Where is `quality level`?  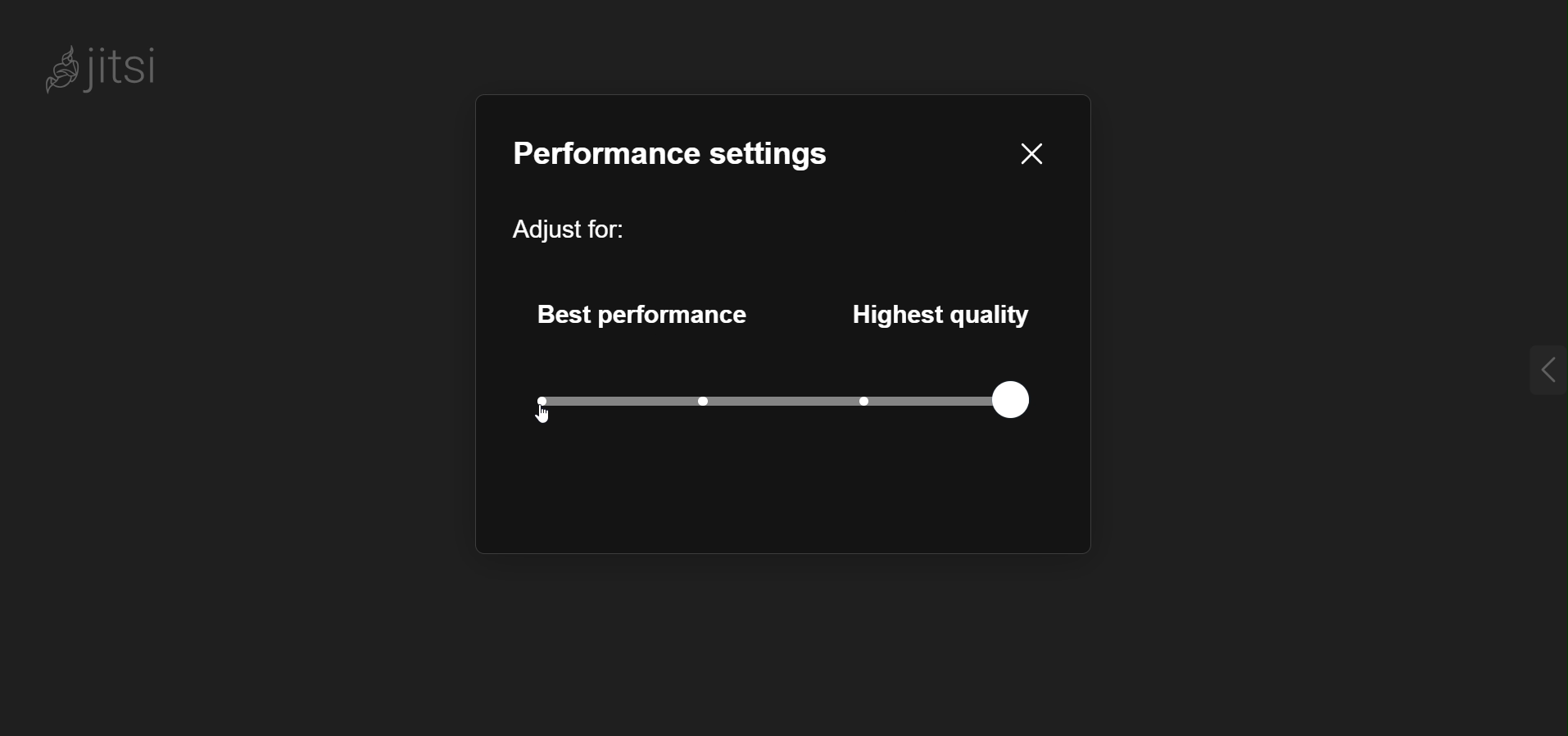 quality level is located at coordinates (750, 401).